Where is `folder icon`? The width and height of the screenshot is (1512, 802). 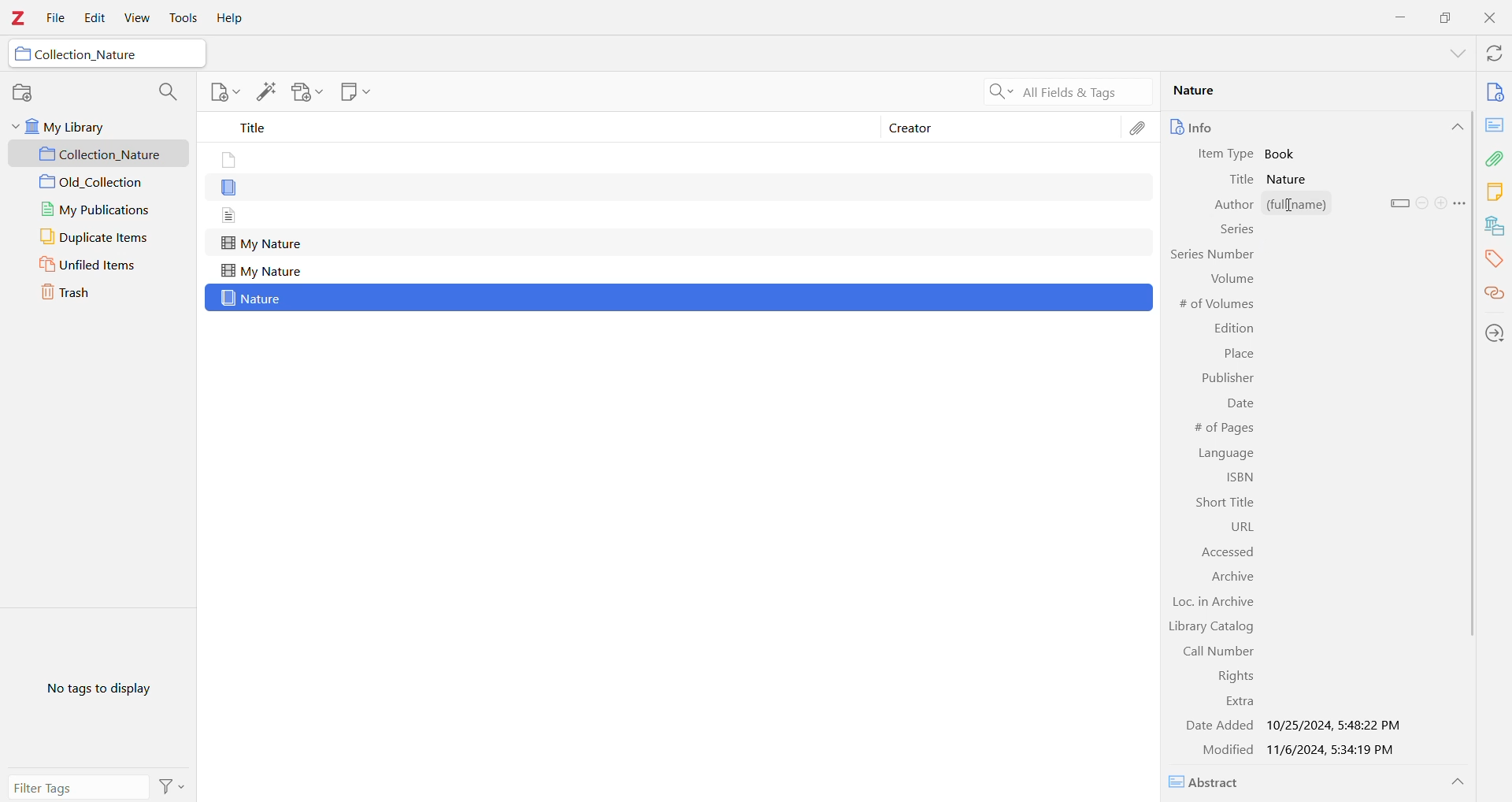
folder icon is located at coordinates (23, 54).